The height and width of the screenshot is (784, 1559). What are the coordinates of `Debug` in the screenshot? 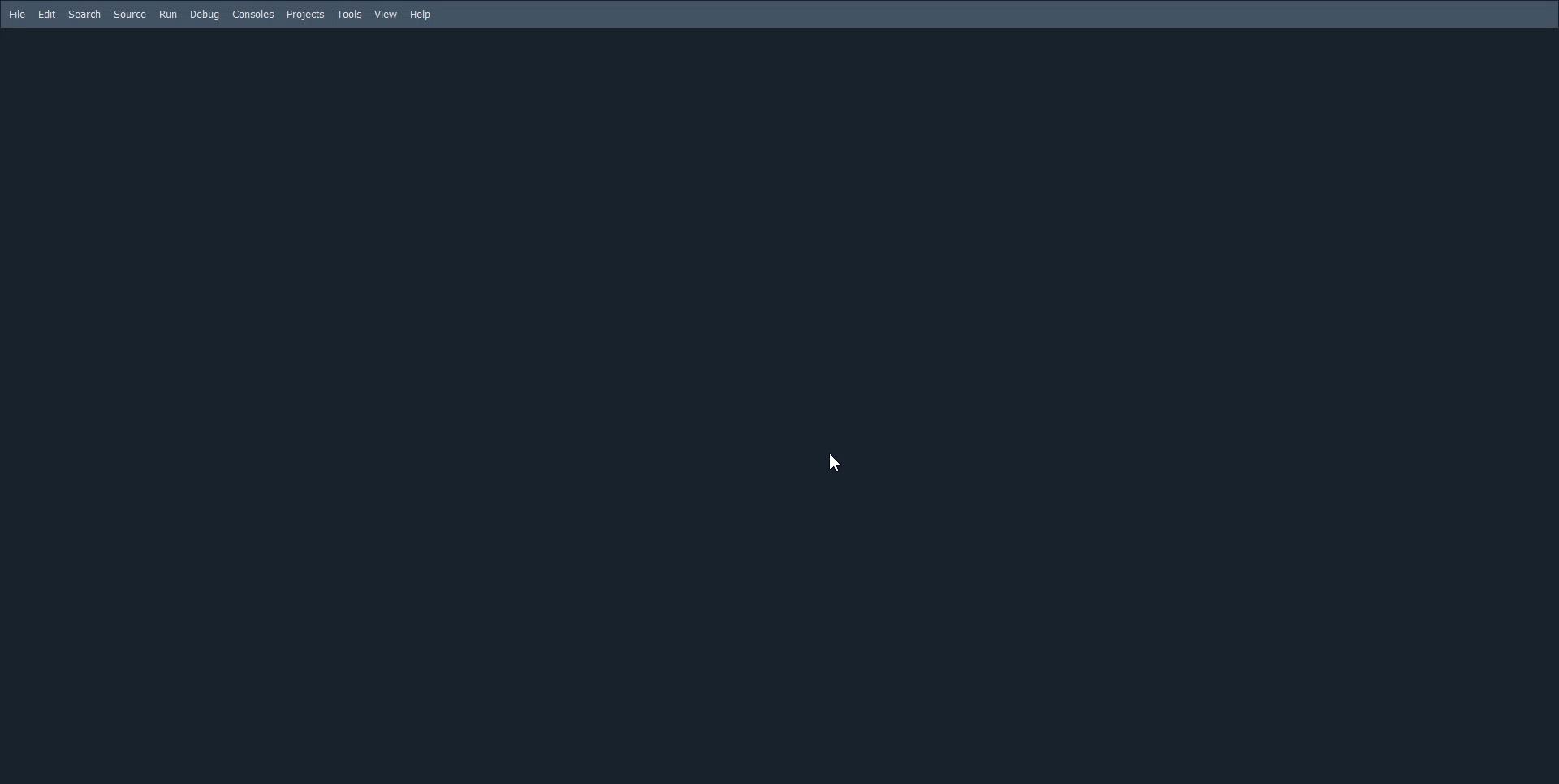 It's located at (205, 15).